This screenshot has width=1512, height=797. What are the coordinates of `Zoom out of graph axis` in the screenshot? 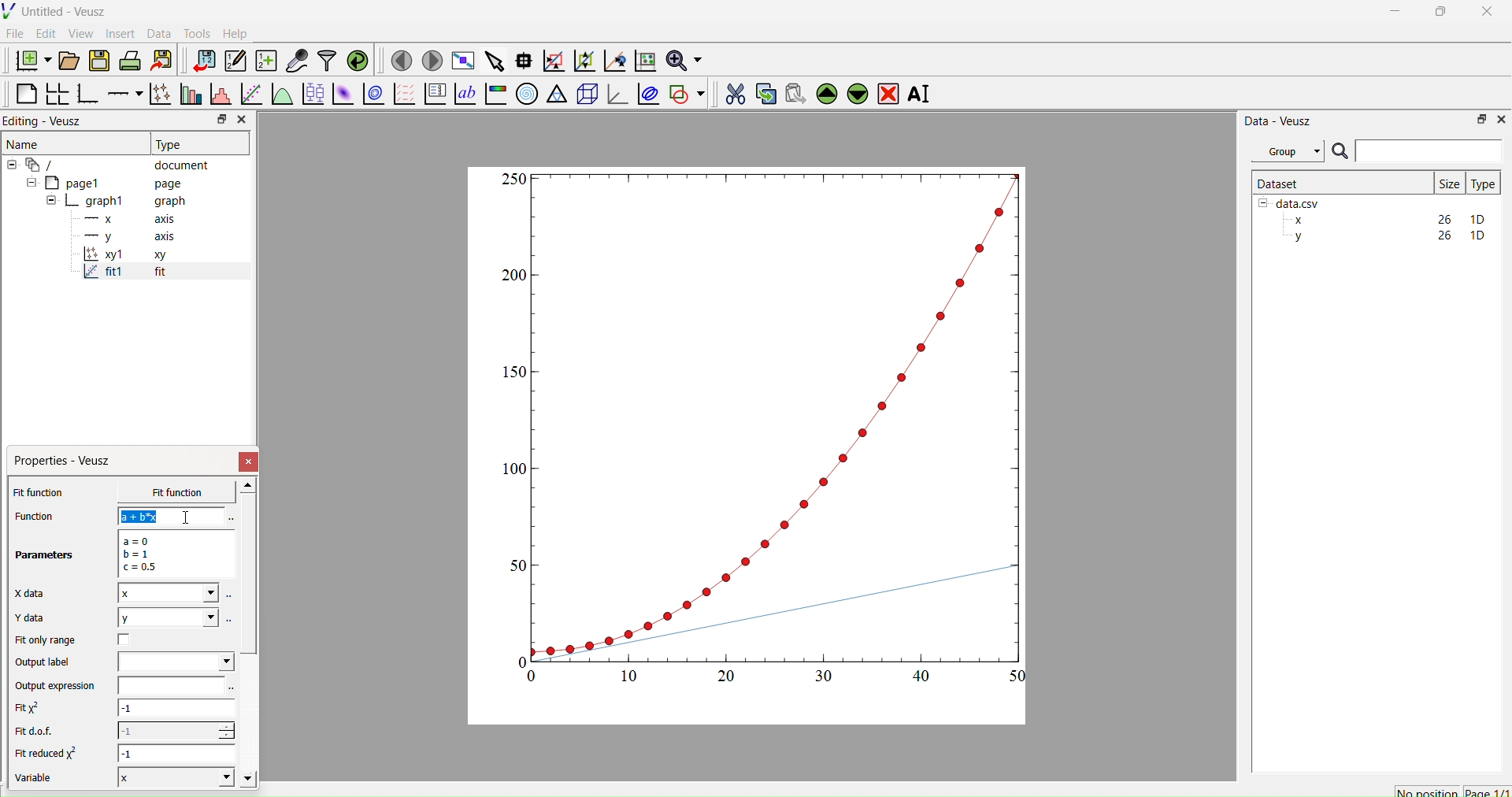 It's located at (583, 59).